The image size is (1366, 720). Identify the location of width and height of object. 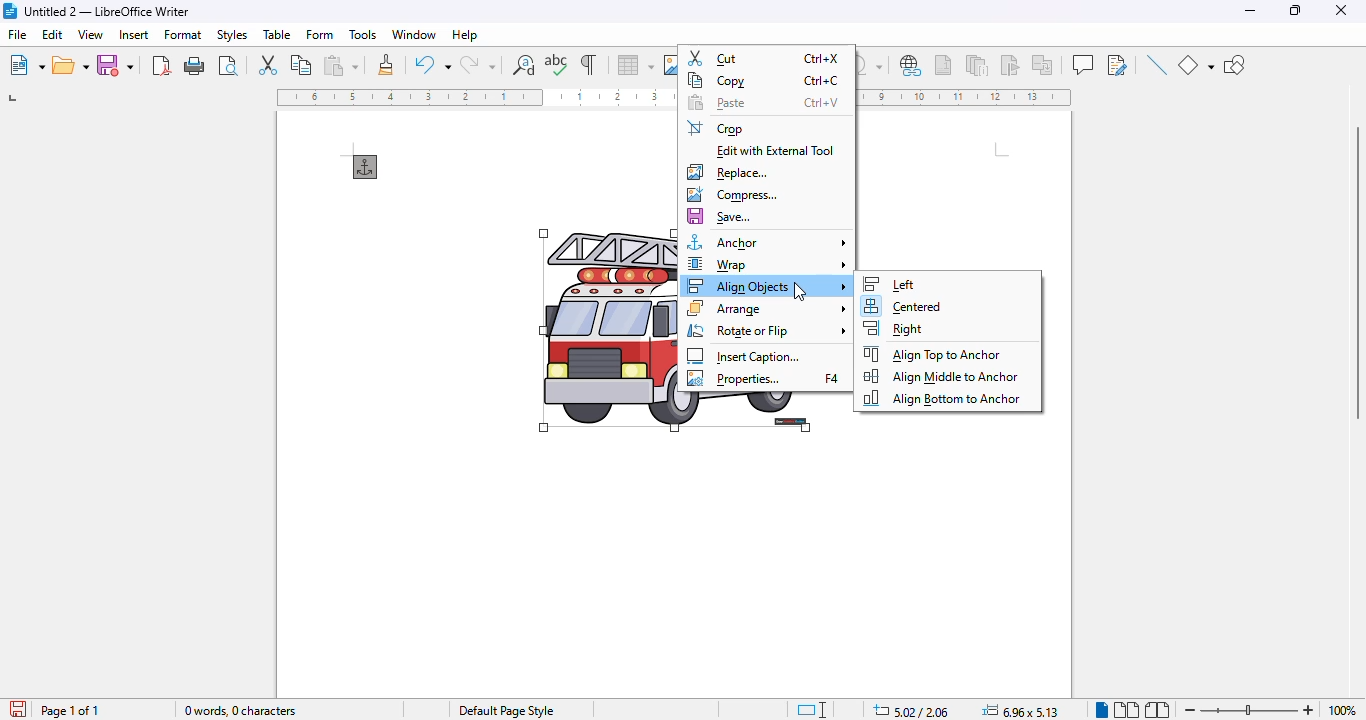
(1020, 710).